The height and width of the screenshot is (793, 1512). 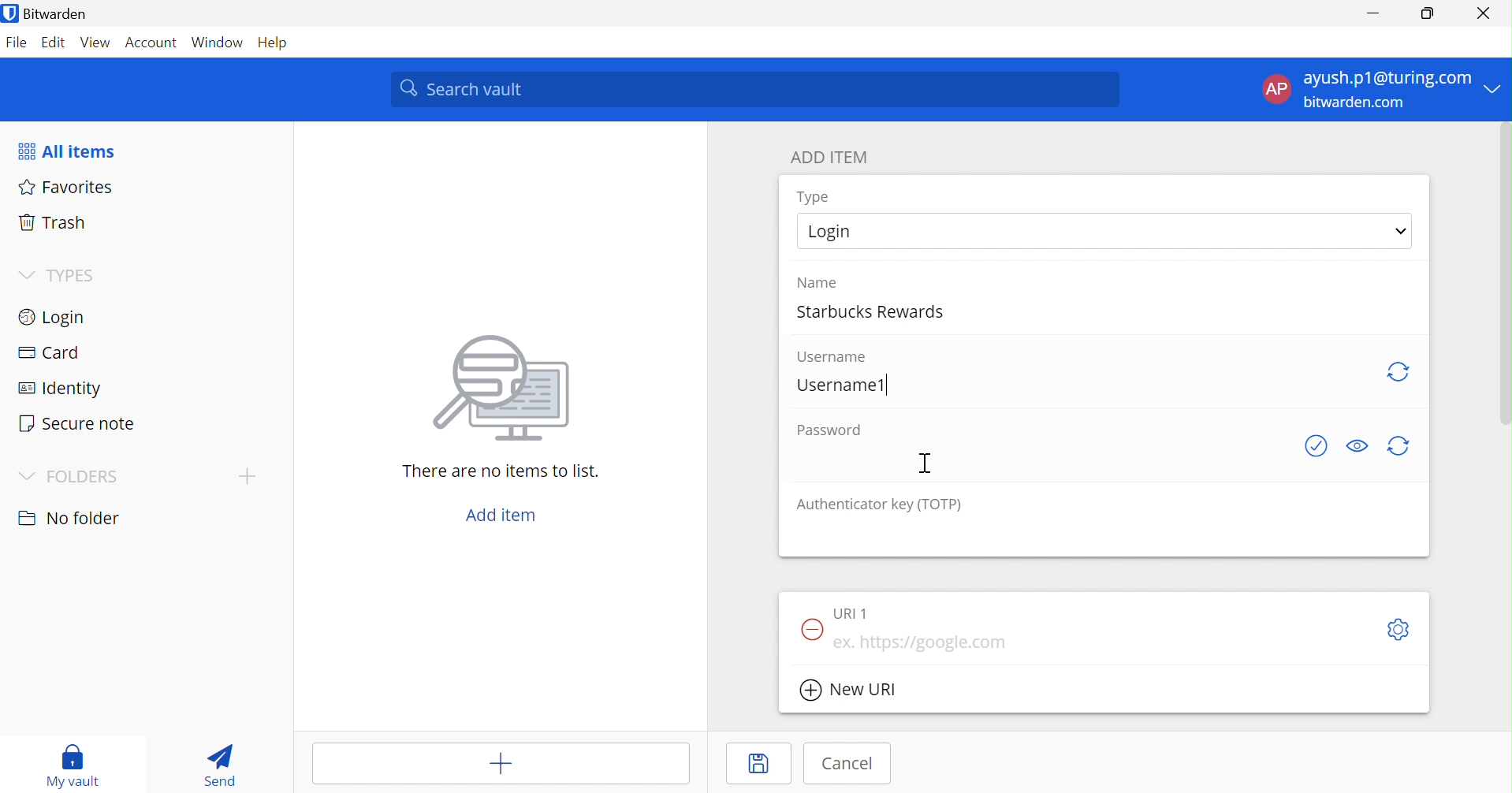 I want to click on Bitwarden, so click(x=48, y=13).